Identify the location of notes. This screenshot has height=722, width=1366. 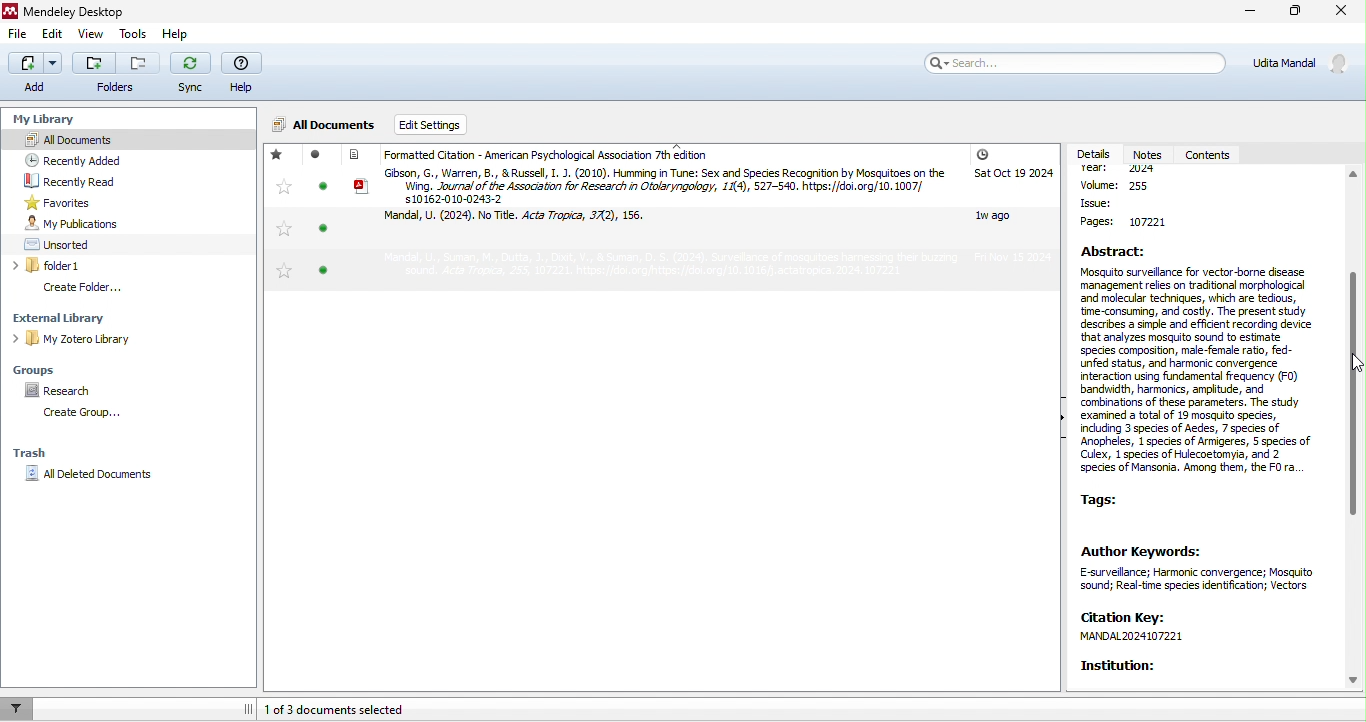
(1149, 155).